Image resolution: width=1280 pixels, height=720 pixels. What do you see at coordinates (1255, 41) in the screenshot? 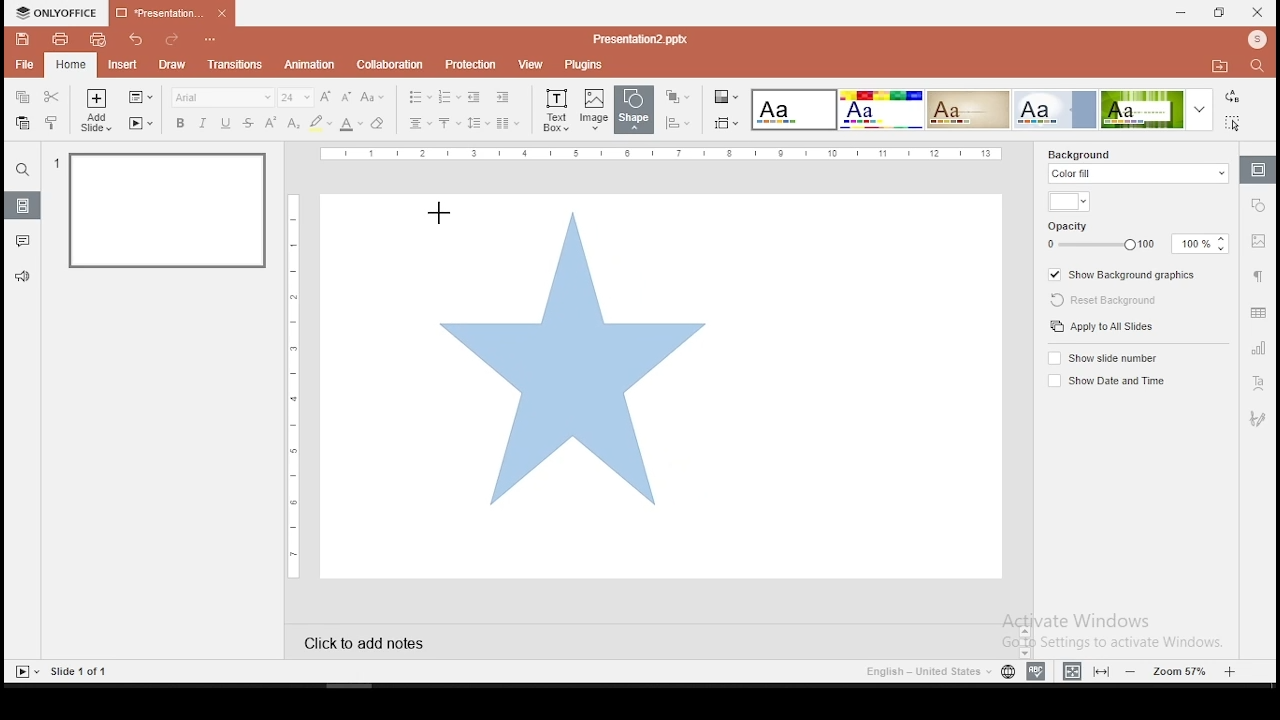
I see `profile` at bounding box center [1255, 41].